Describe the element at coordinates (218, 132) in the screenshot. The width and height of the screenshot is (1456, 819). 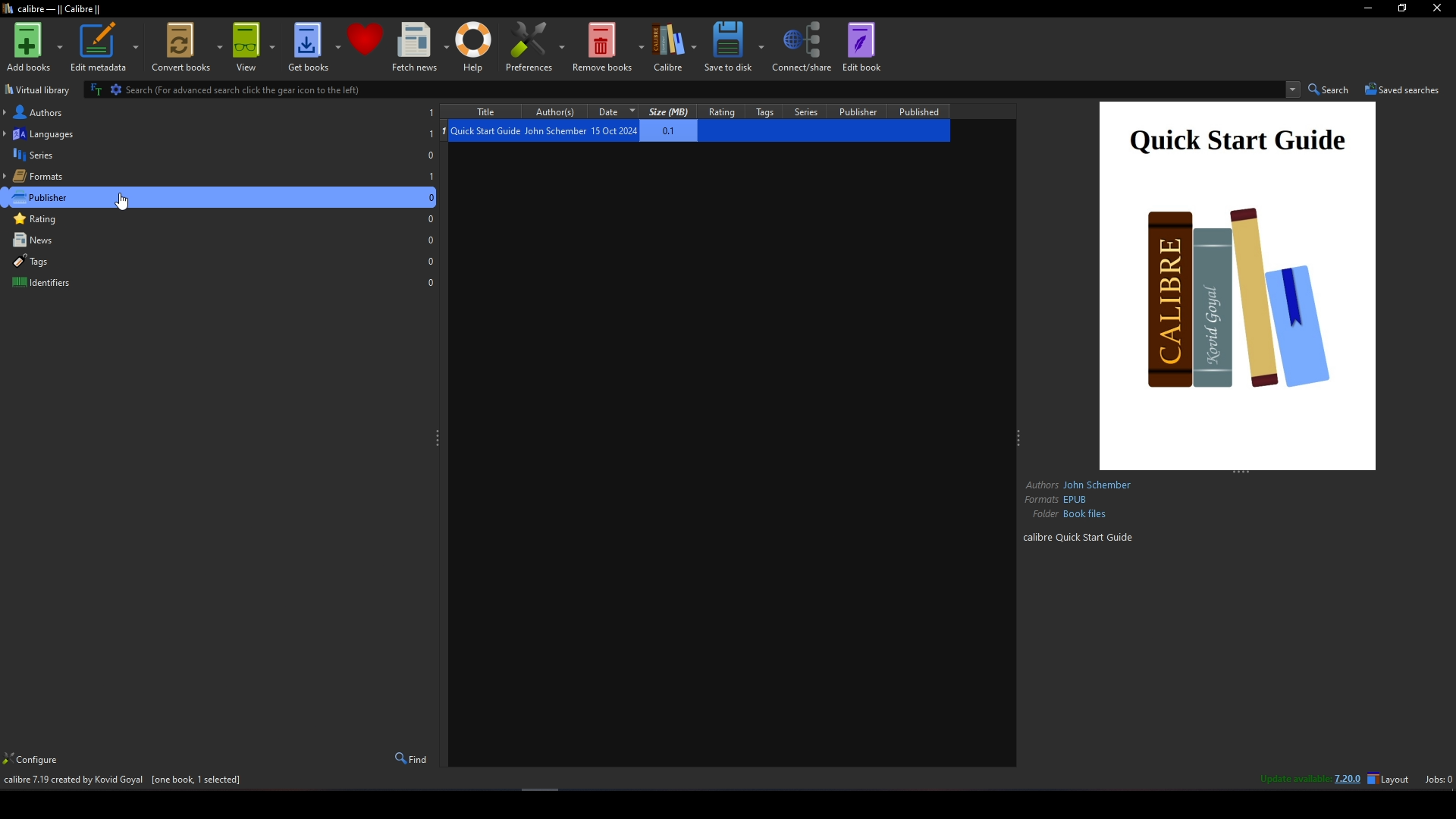
I see `Languages` at that location.